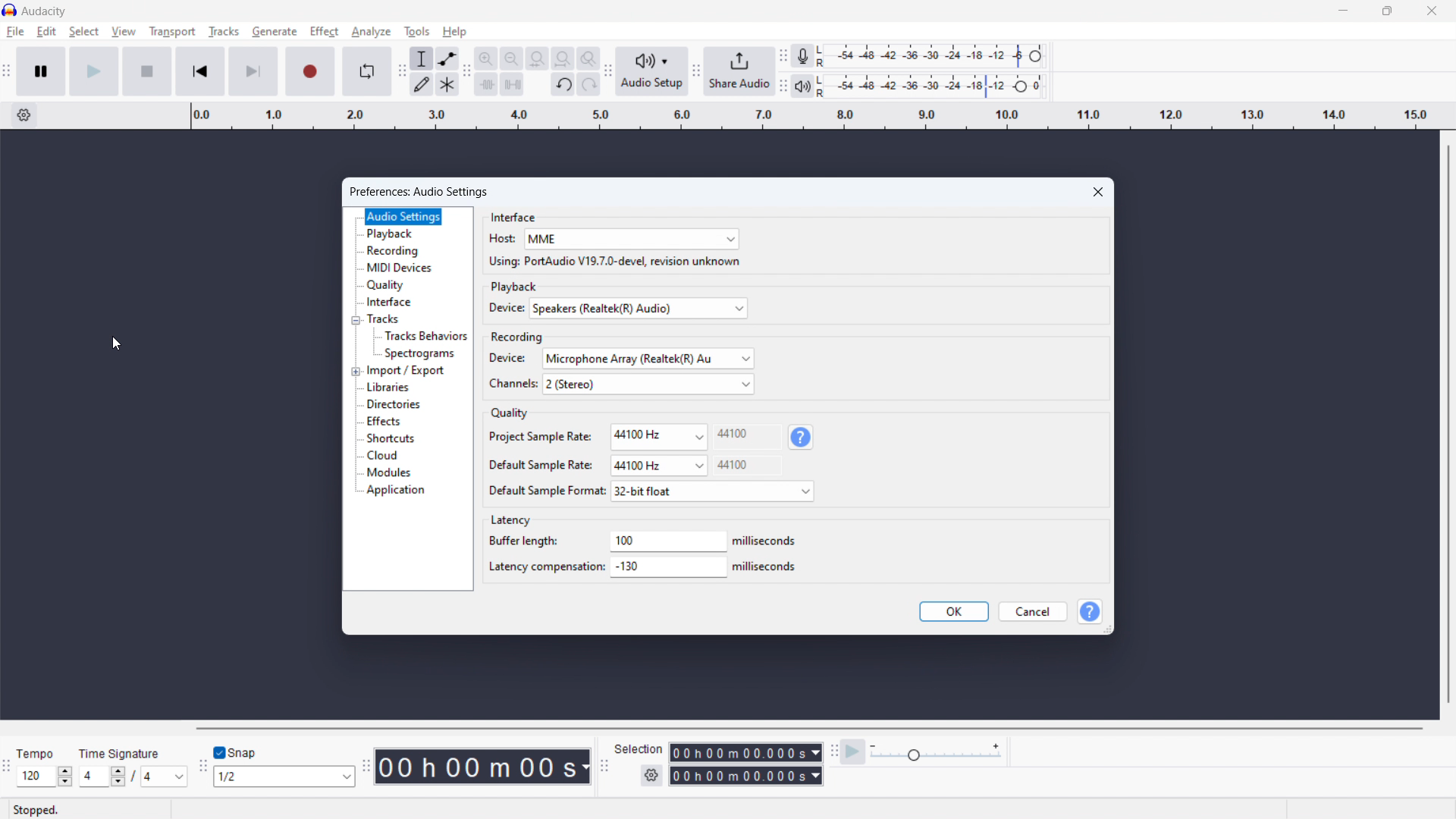 Image resolution: width=1456 pixels, height=819 pixels. Describe the element at coordinates (382, 456) in the screenshot. I see `cloud` at that location.